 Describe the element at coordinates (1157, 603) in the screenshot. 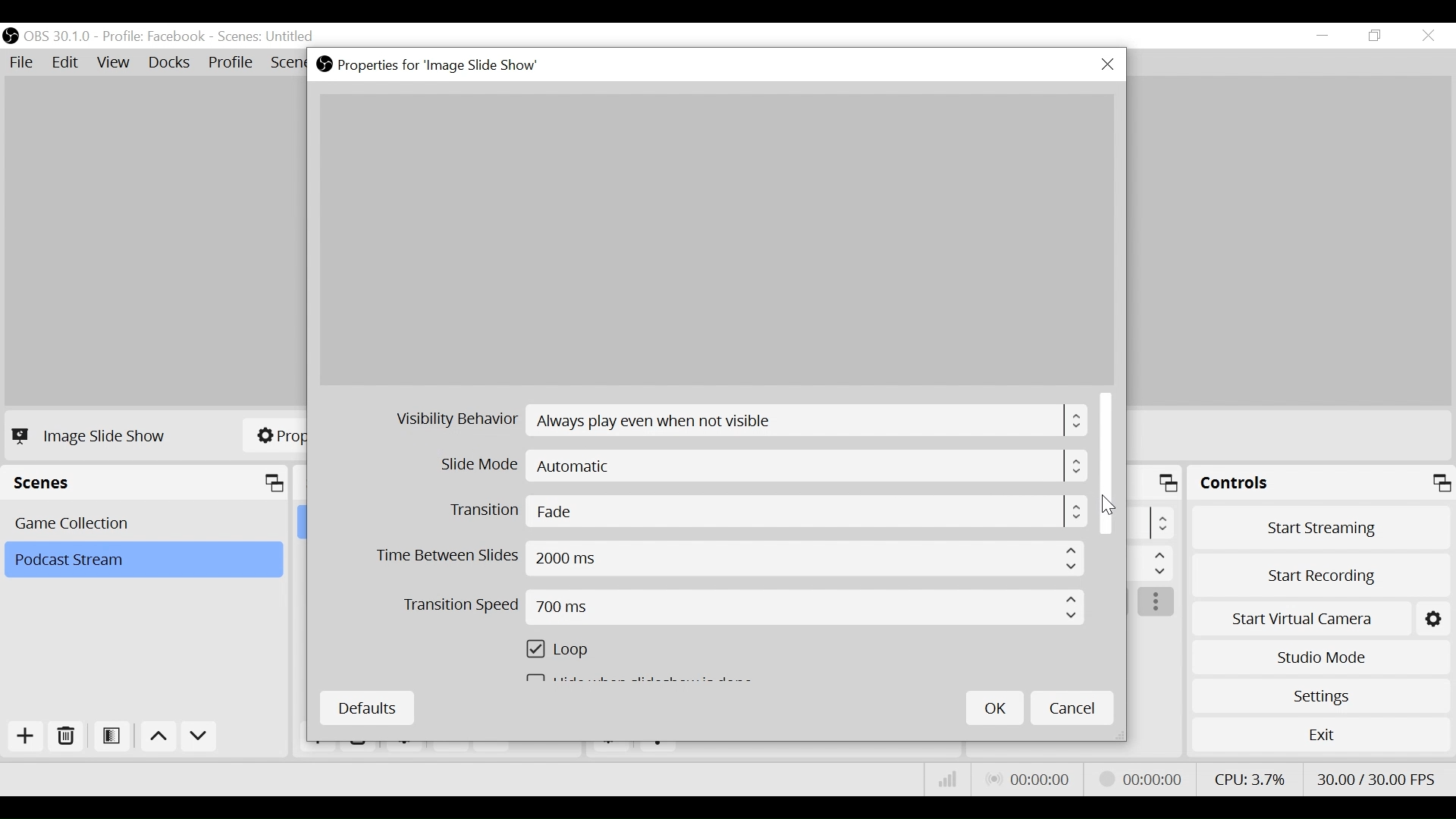

I see `more options` at that location.